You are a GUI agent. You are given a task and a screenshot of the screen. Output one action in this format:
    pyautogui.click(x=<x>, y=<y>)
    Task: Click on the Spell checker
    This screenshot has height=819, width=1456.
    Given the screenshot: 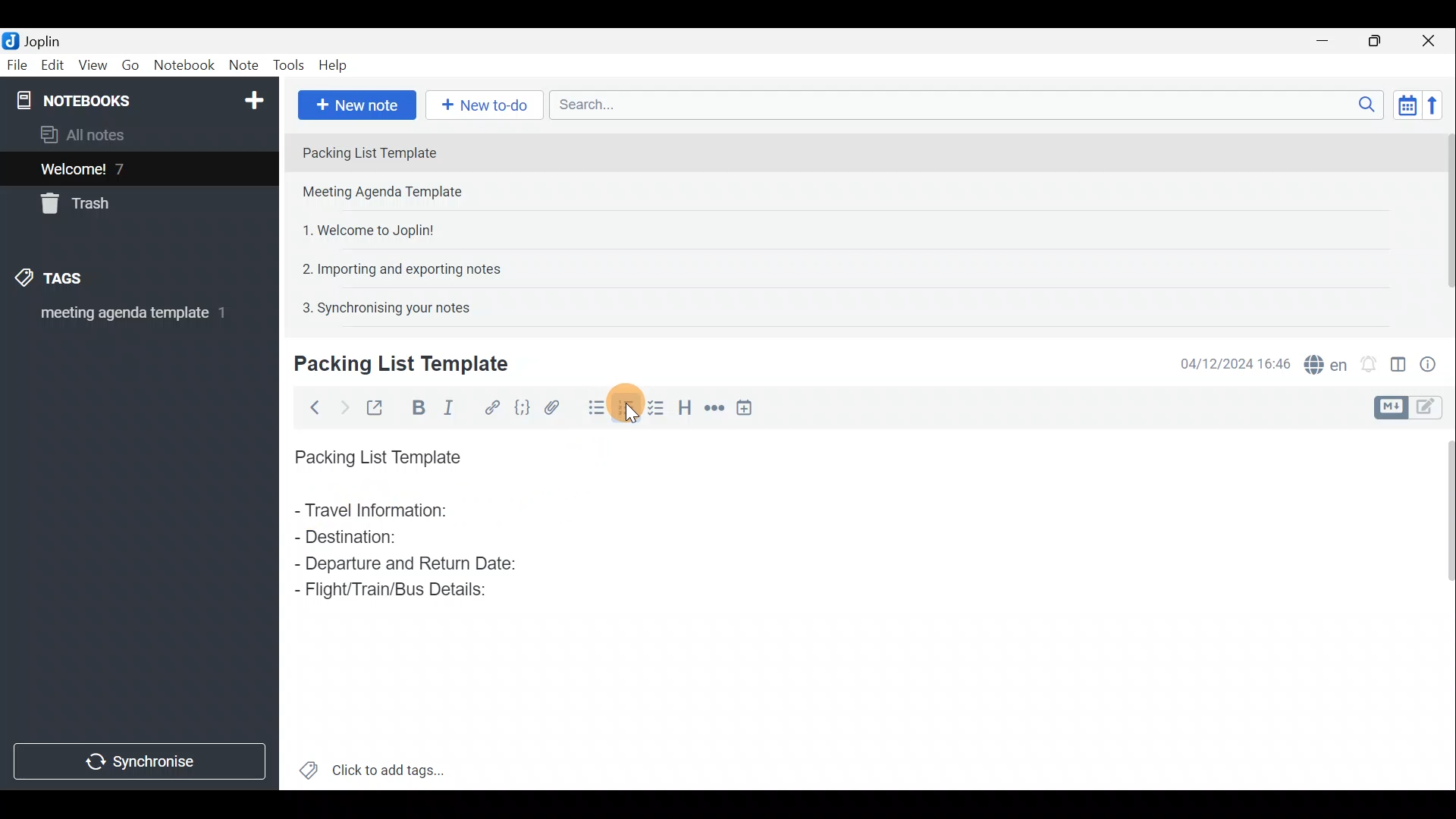 What is the action you would take?
    pyautogui.click(x=1322, y=362)
    